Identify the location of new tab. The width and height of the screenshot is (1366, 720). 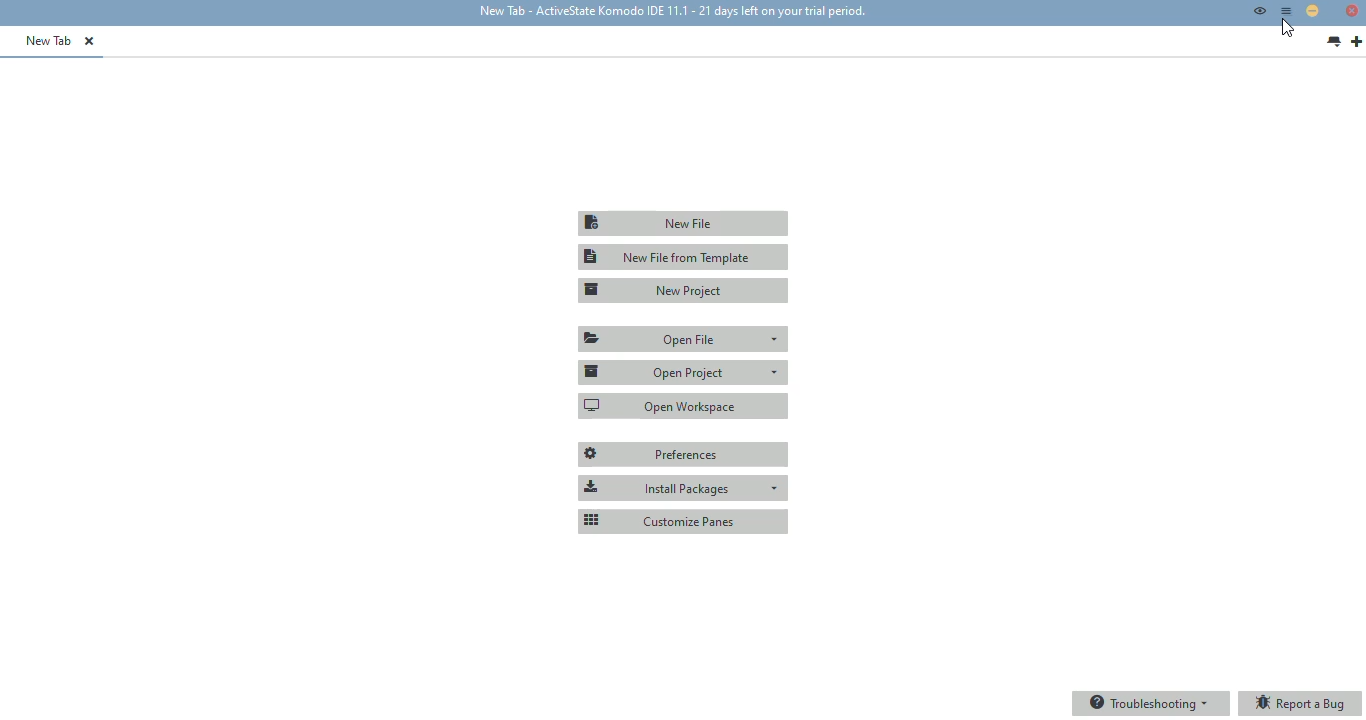
(1356, 42).